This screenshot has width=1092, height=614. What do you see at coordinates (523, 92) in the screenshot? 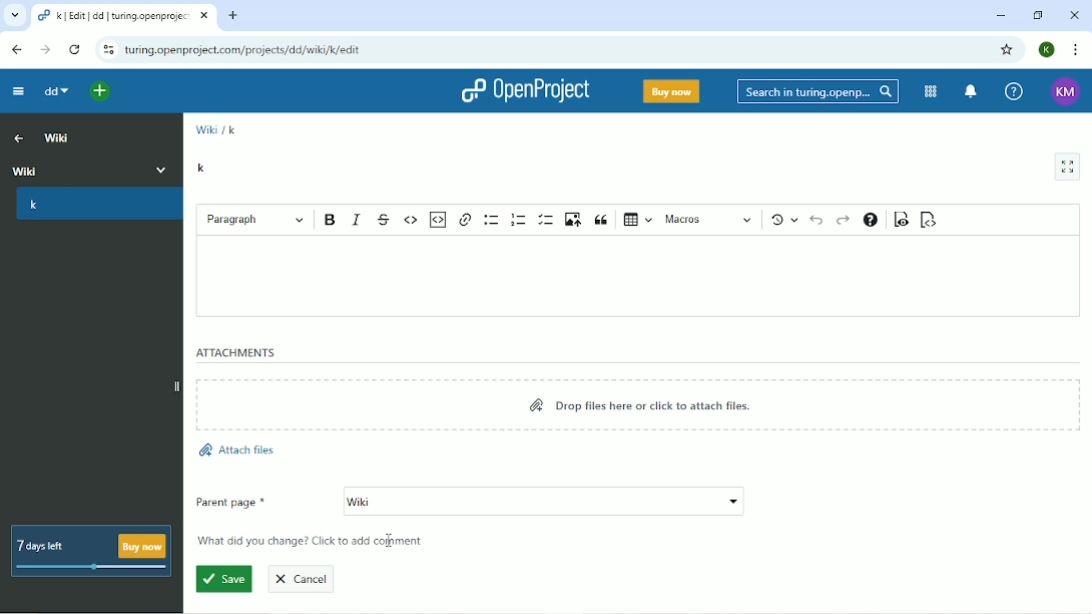
I see `OpenProject` at bounding box center [523, 92].